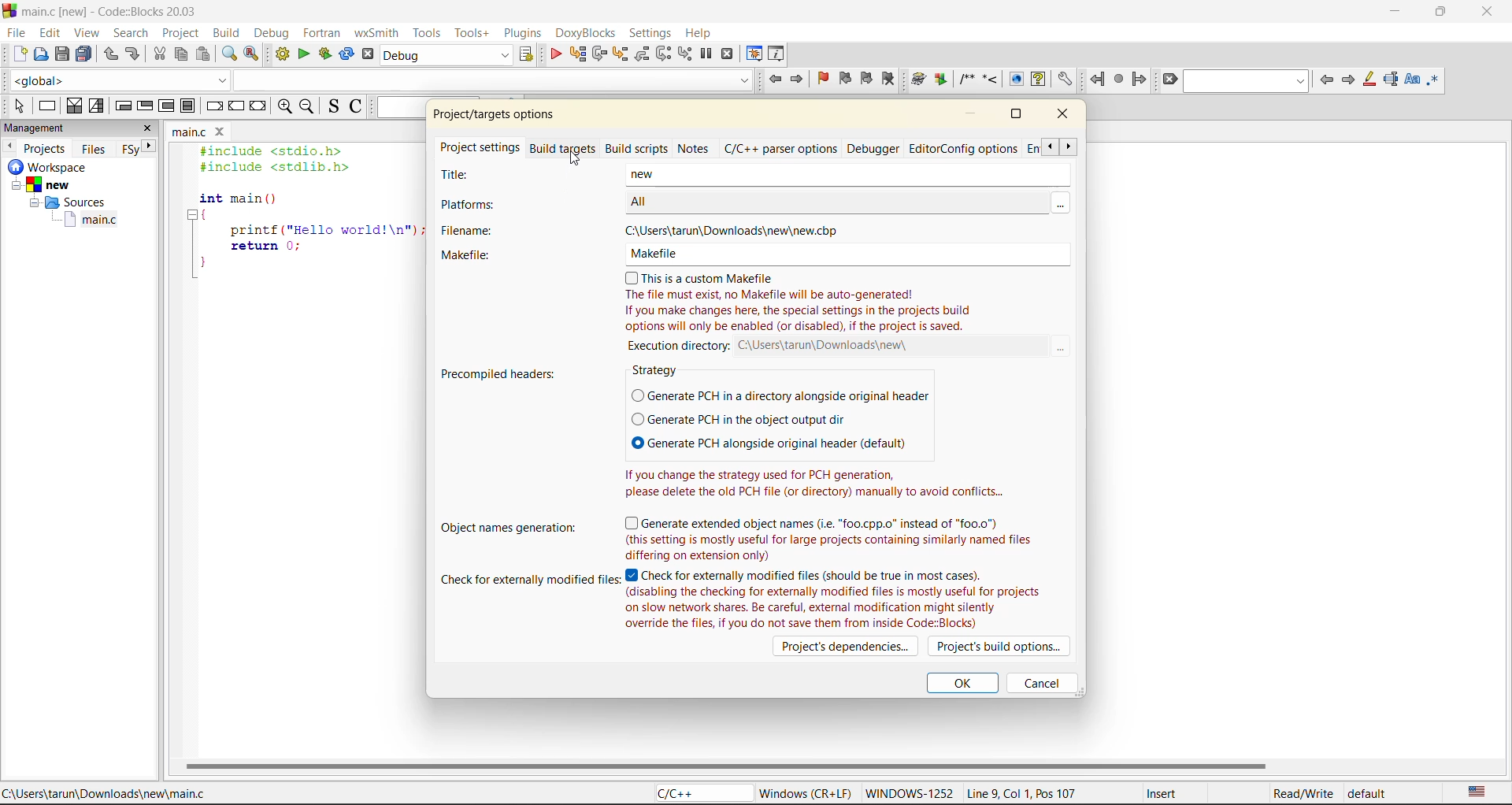 The image size is (1512, 805). I want to click on settings, so click(651, 34).